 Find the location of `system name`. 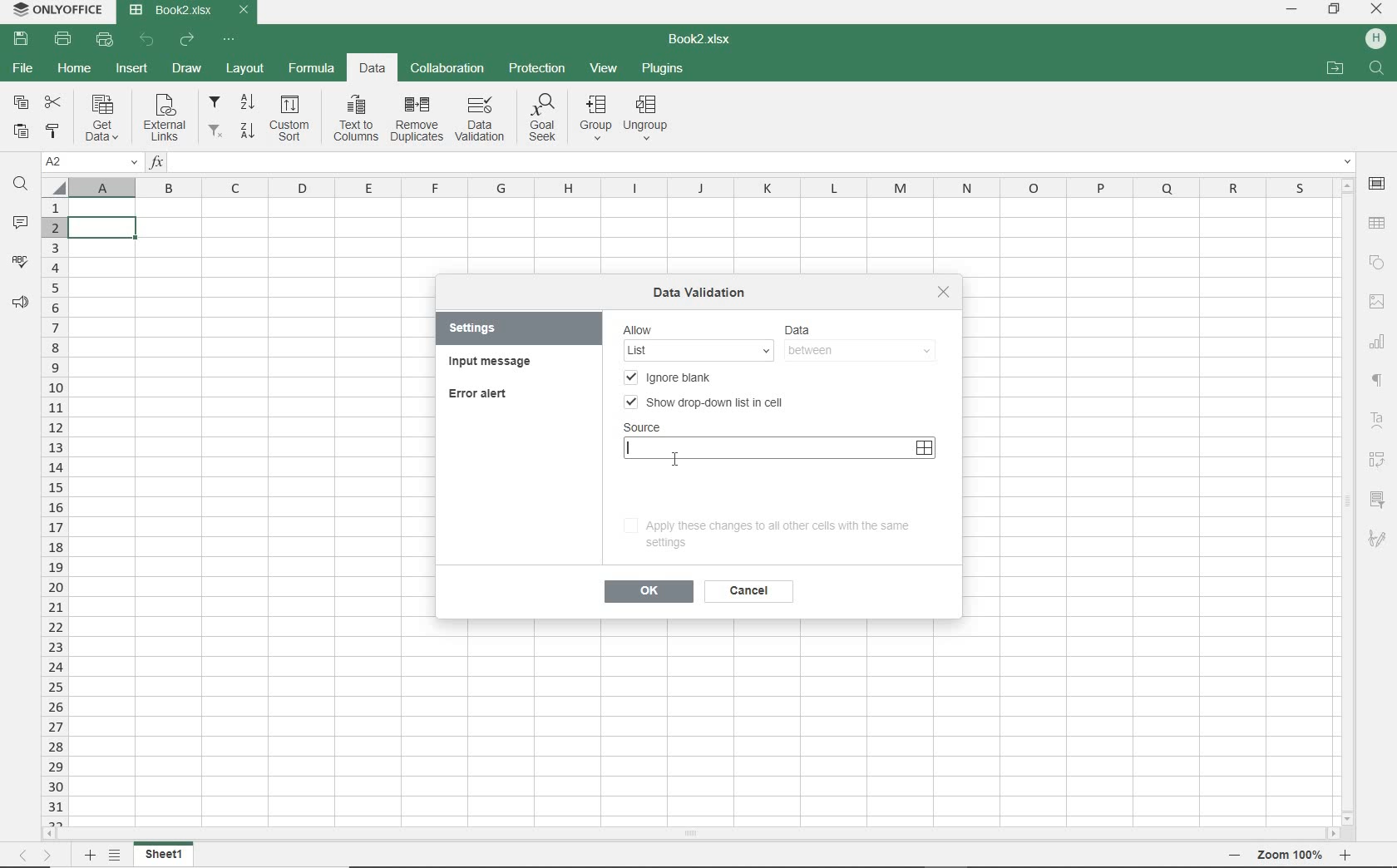

system name is located at coordinates (58, 11).